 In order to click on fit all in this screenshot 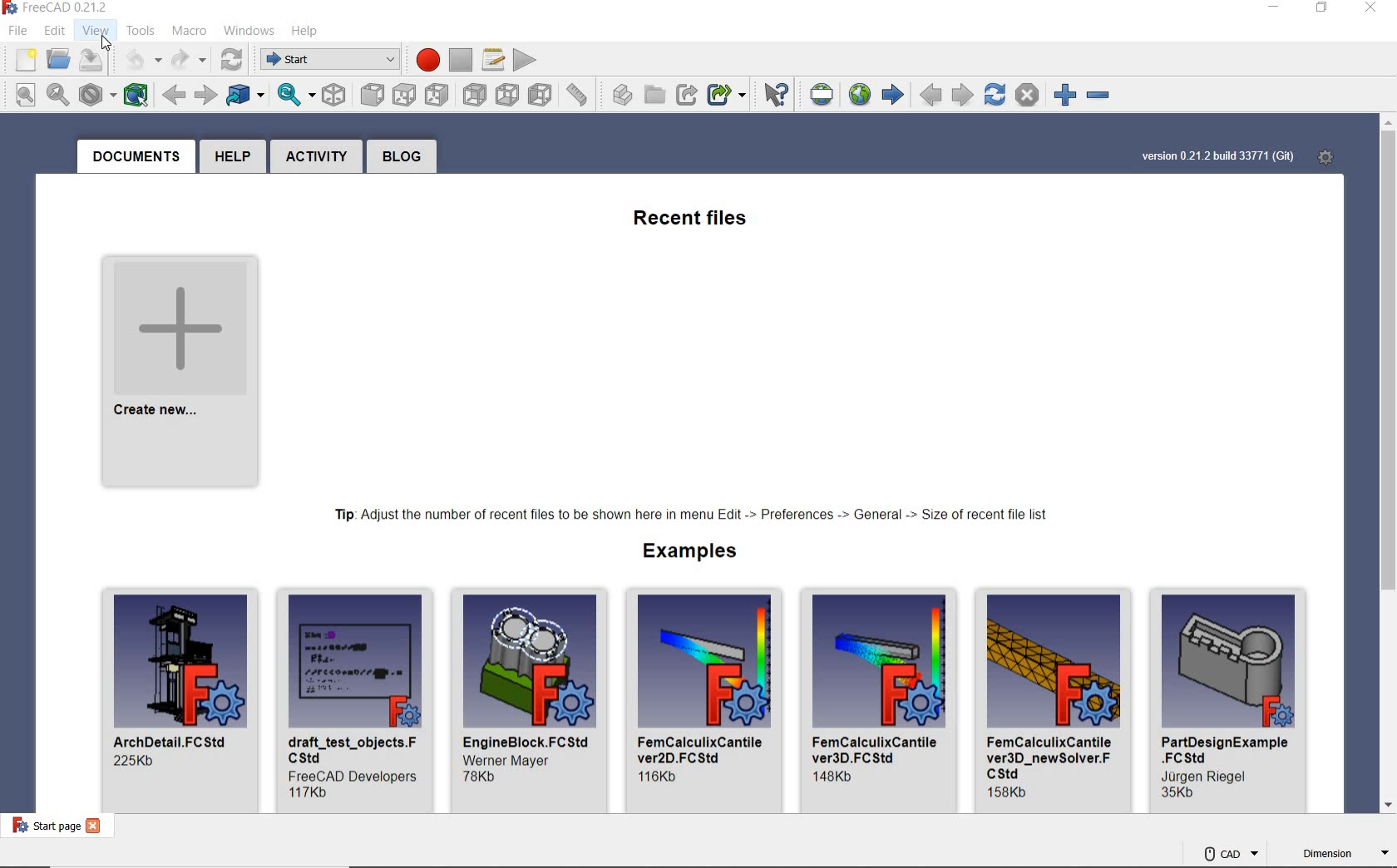, I will do `click(22, 95)`.